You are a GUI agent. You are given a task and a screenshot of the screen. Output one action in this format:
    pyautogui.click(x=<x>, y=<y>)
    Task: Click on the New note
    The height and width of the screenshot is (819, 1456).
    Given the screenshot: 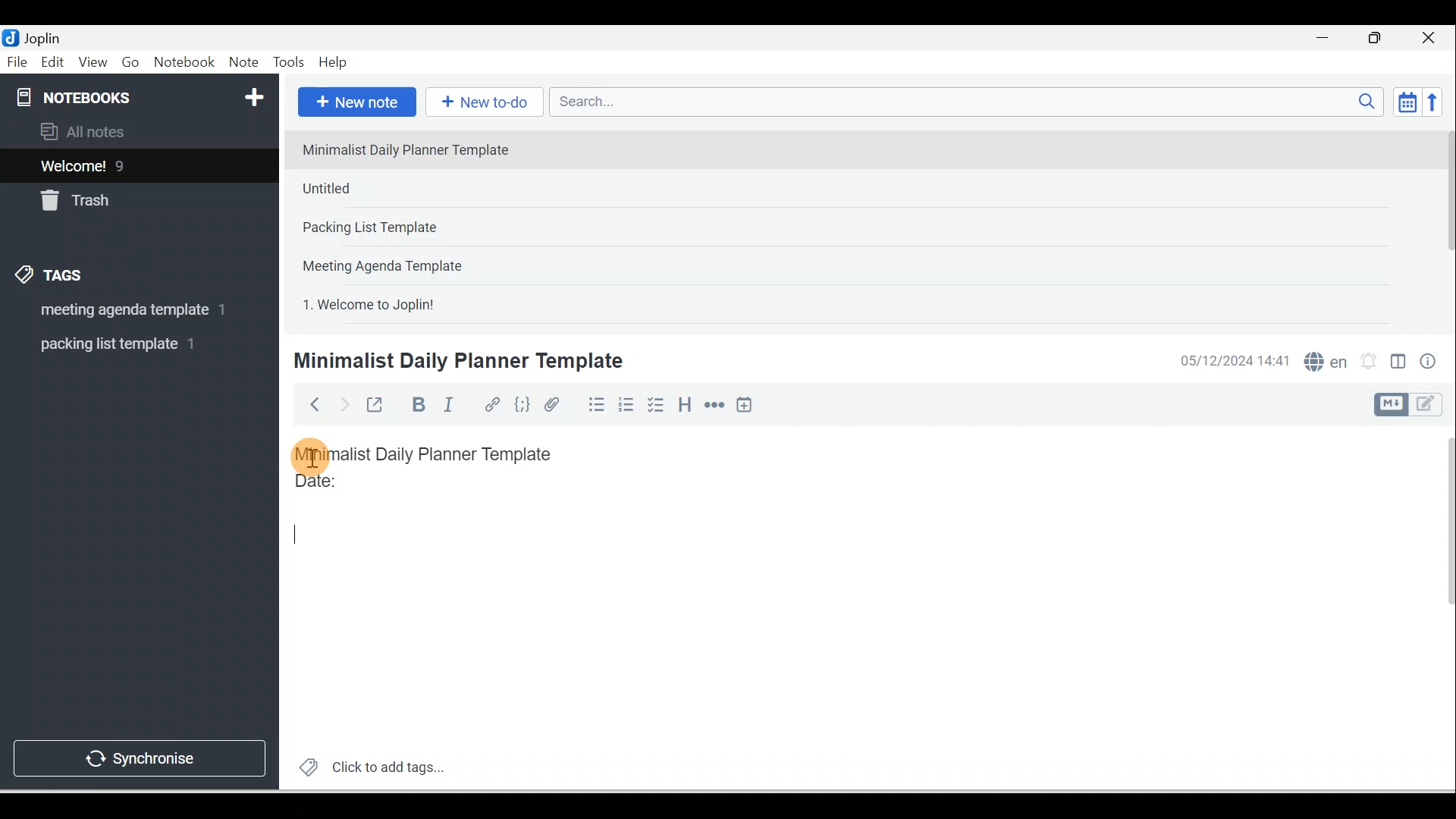 What is the action you would take?
    pyautogui.click(x=354, y=103)
    